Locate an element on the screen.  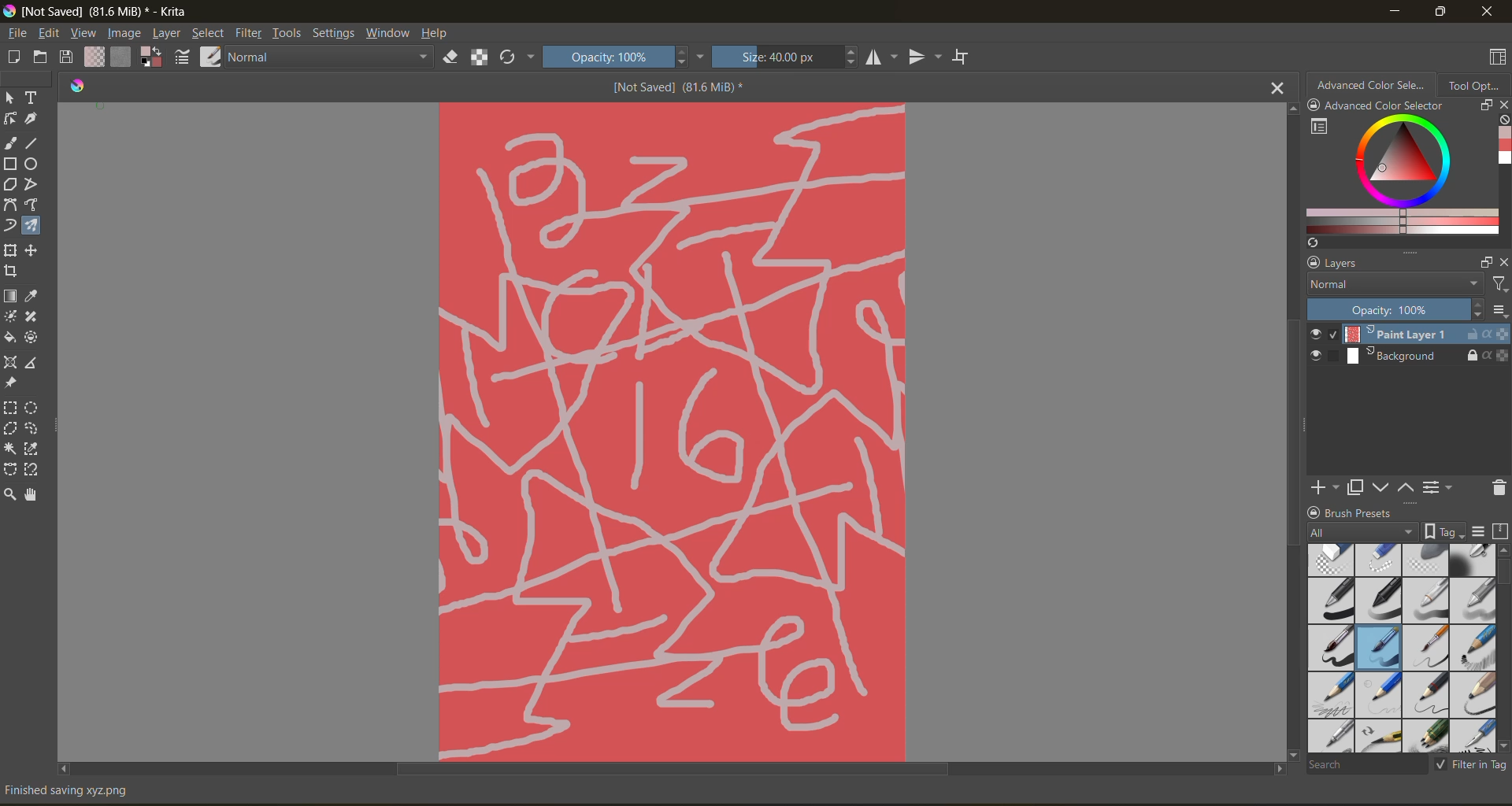
mask down is located at coordinates (1380, 488).